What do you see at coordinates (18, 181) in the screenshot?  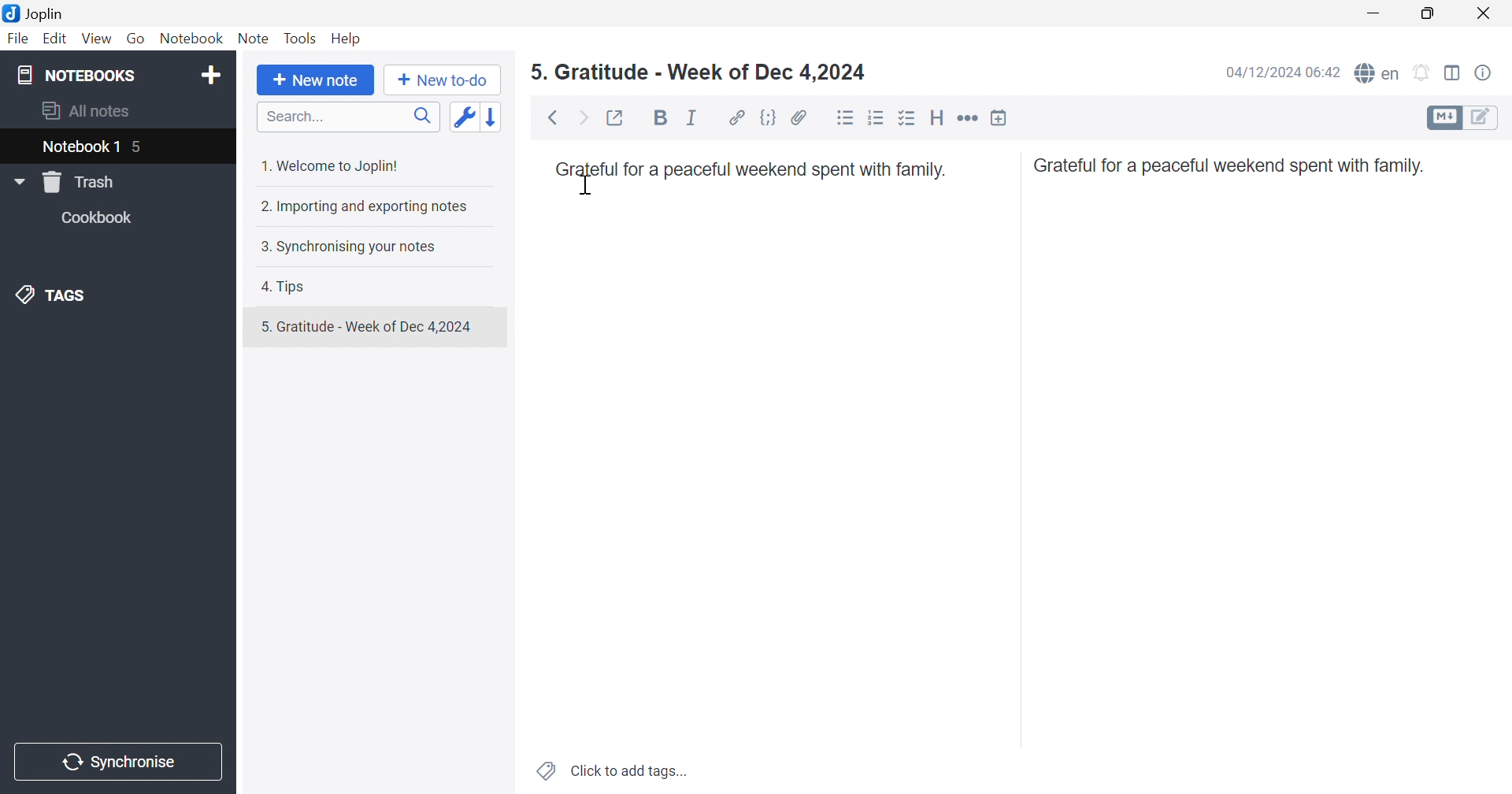 I see `Drop Down` at bounding box center [18, 181].